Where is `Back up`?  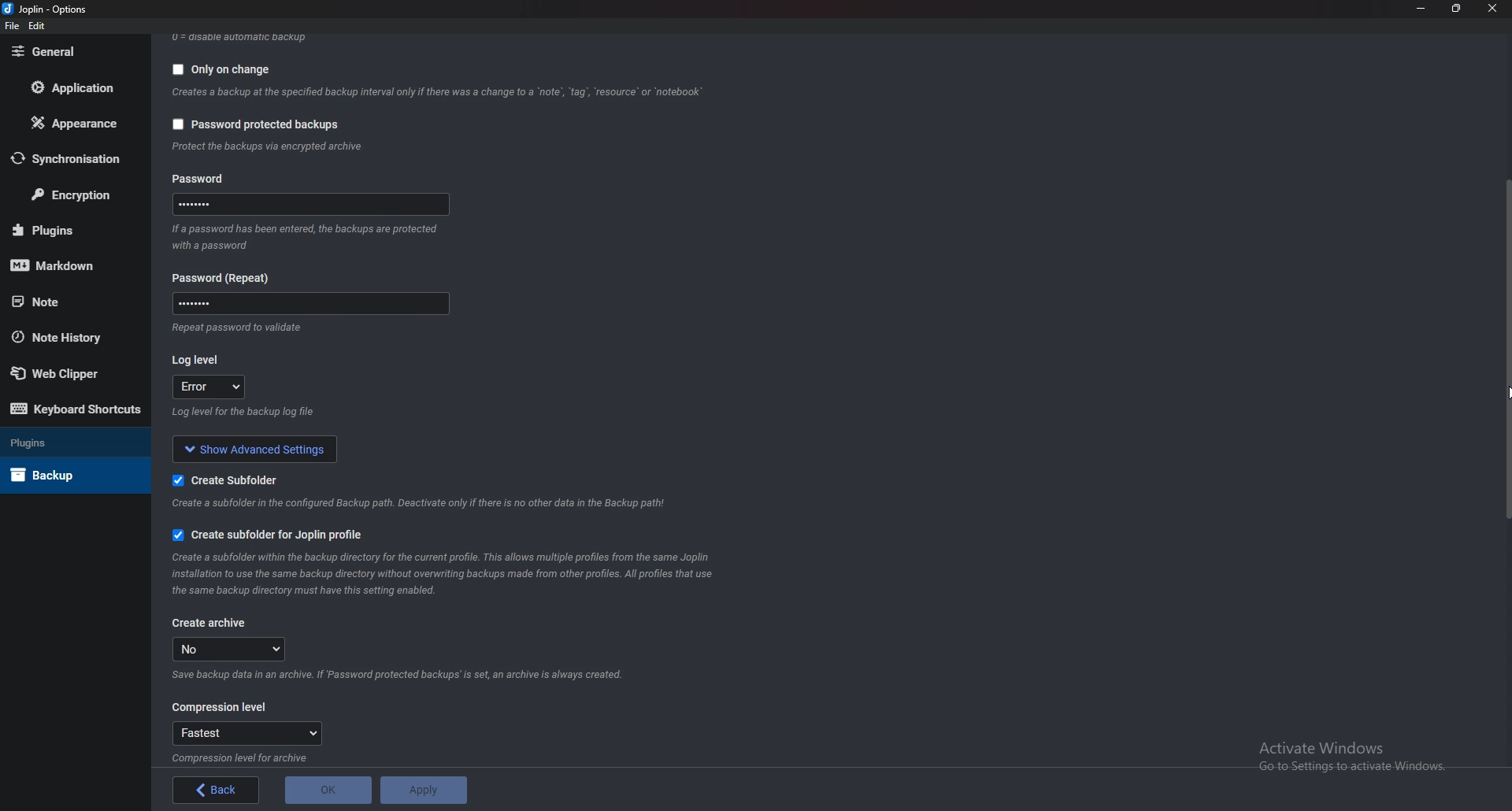
Back up is located at coordinates (58, 475).